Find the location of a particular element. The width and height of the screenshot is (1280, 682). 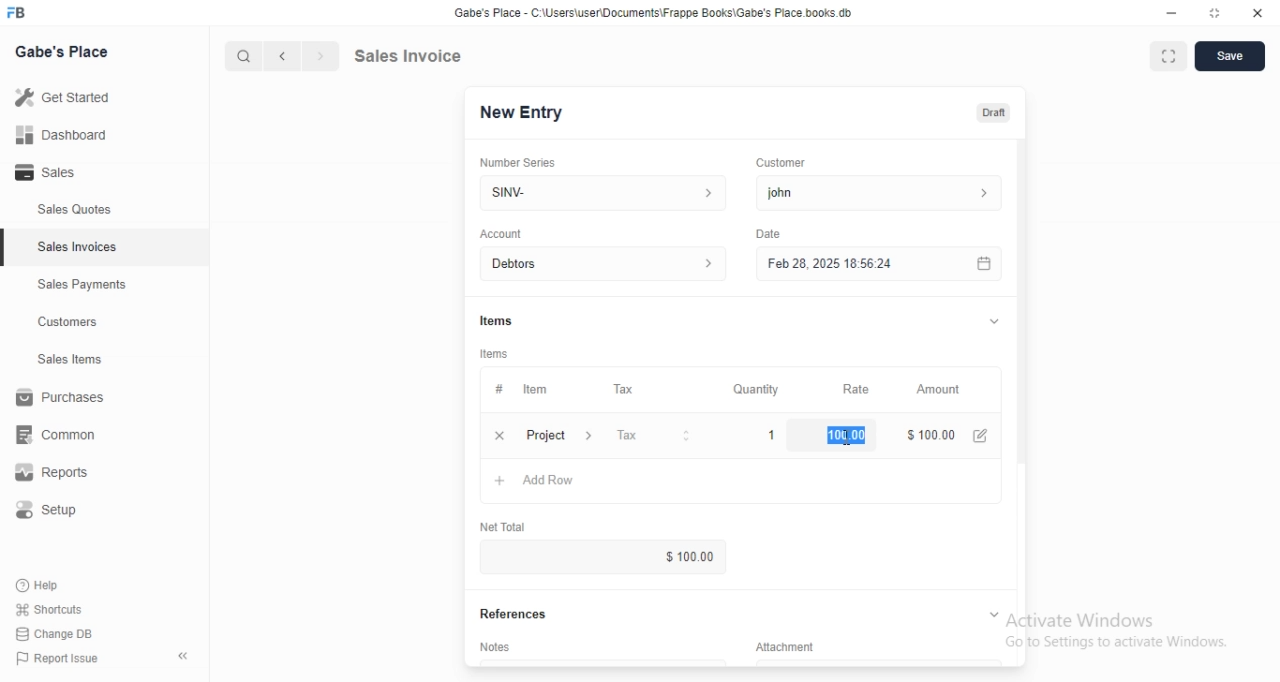

$100.00 is located at coordinates (842, 434).